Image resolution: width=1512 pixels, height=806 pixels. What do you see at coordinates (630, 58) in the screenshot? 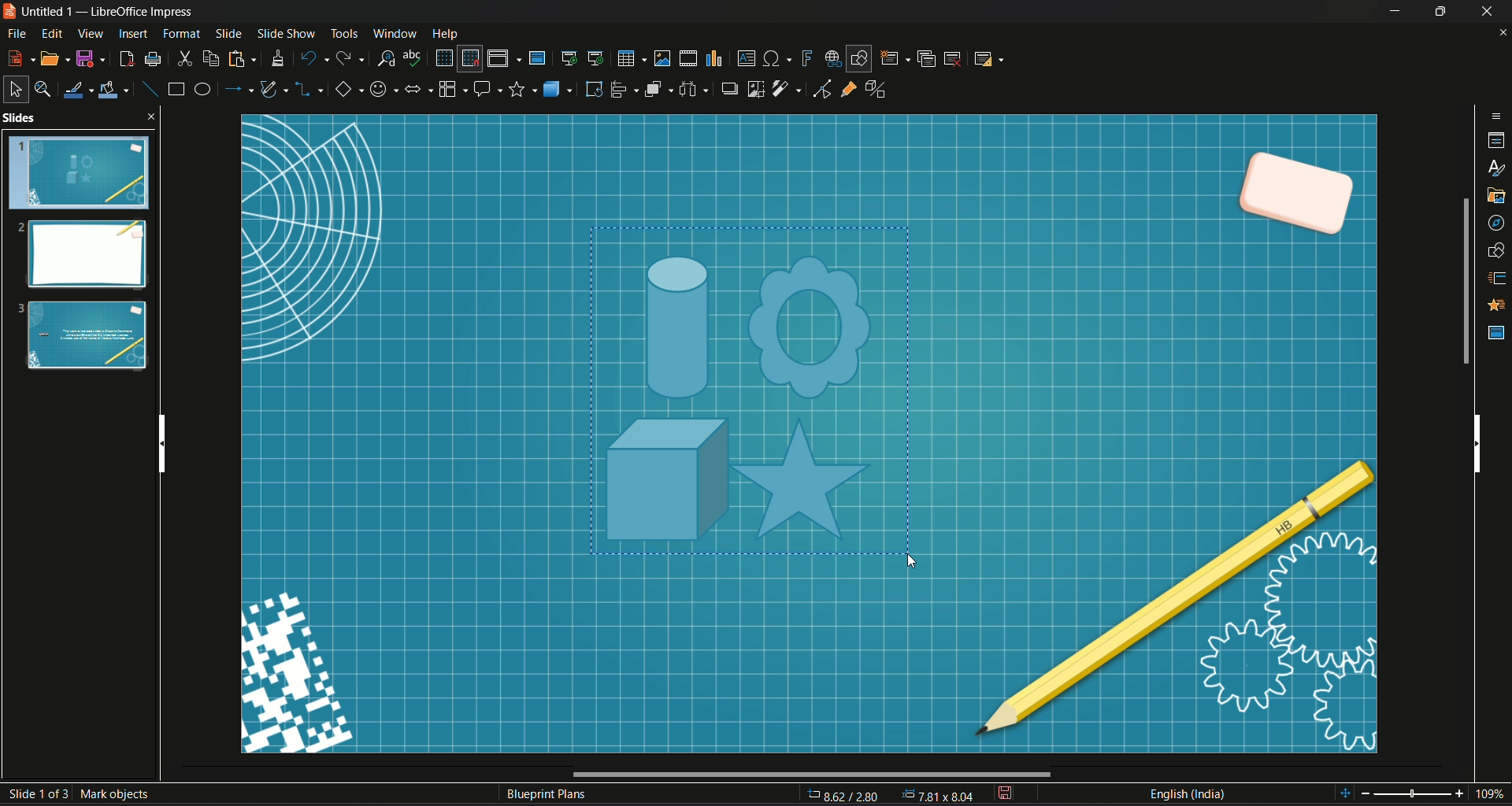
I see `table` at bounding box center [630, 58].